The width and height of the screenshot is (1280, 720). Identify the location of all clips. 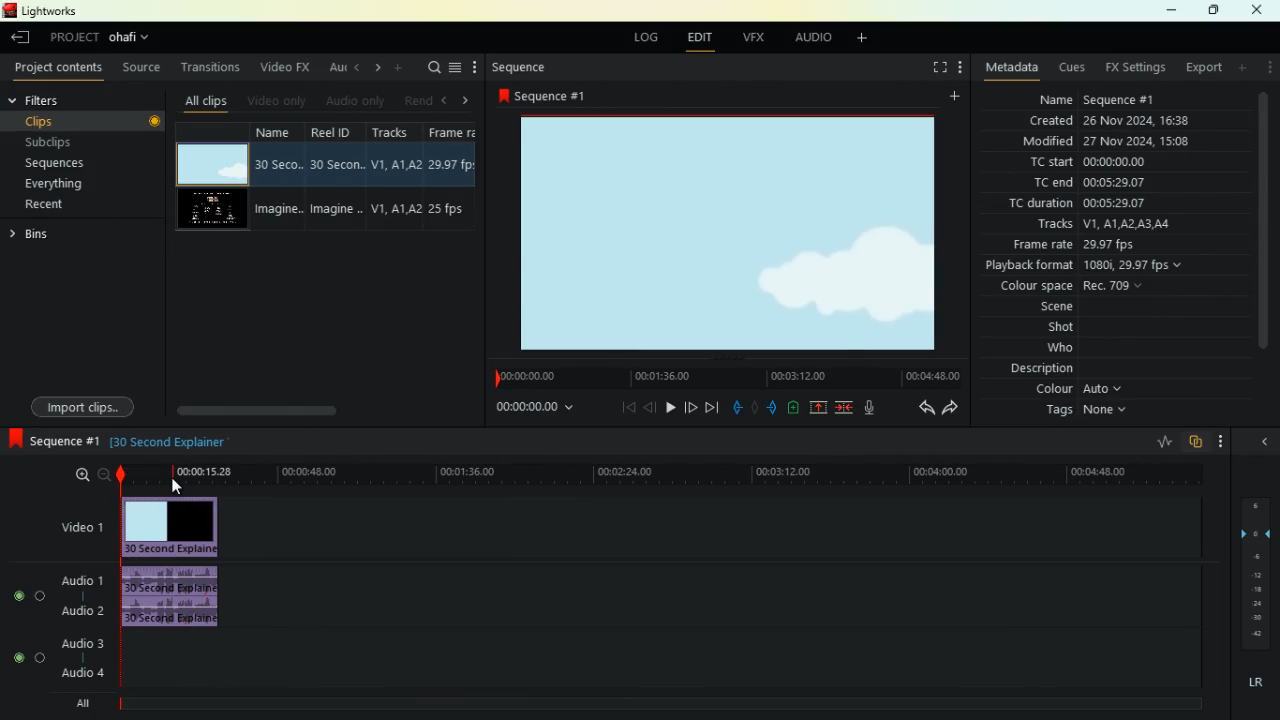
(208, 102).